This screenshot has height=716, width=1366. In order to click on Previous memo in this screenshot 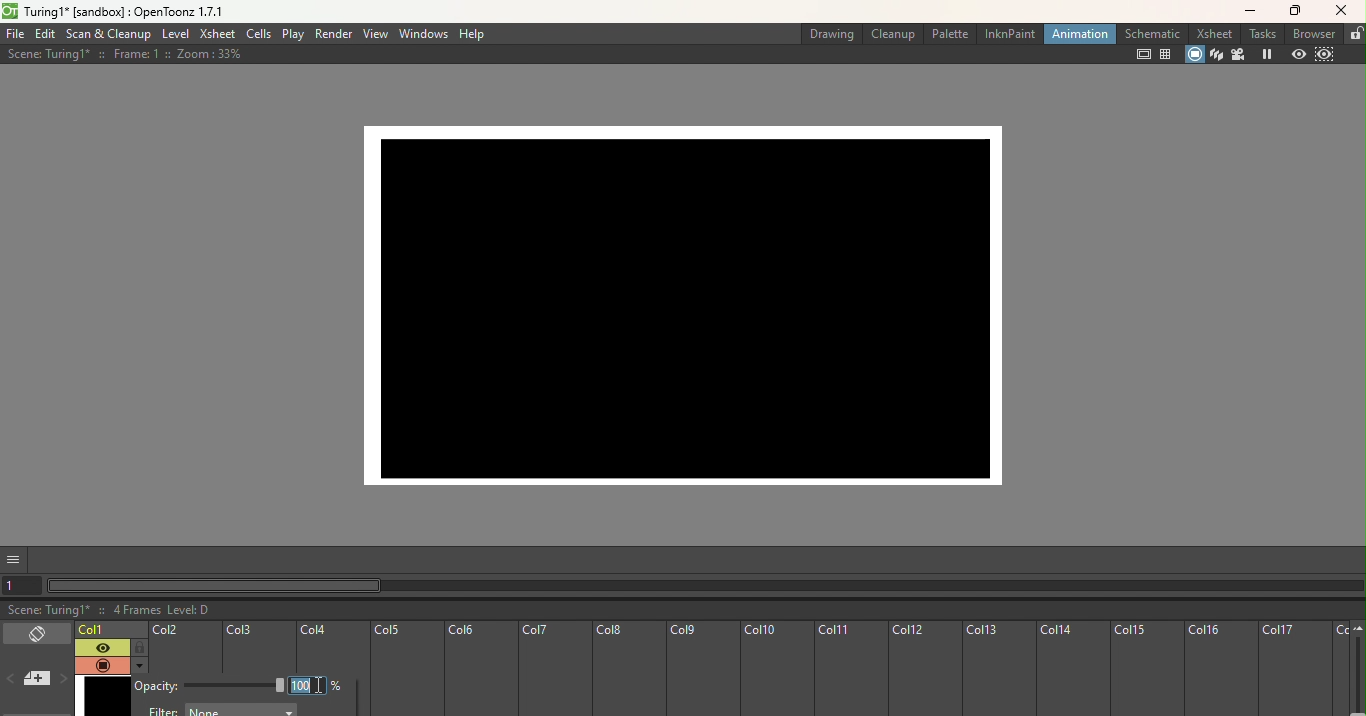, I will do `click(12, 681)`.